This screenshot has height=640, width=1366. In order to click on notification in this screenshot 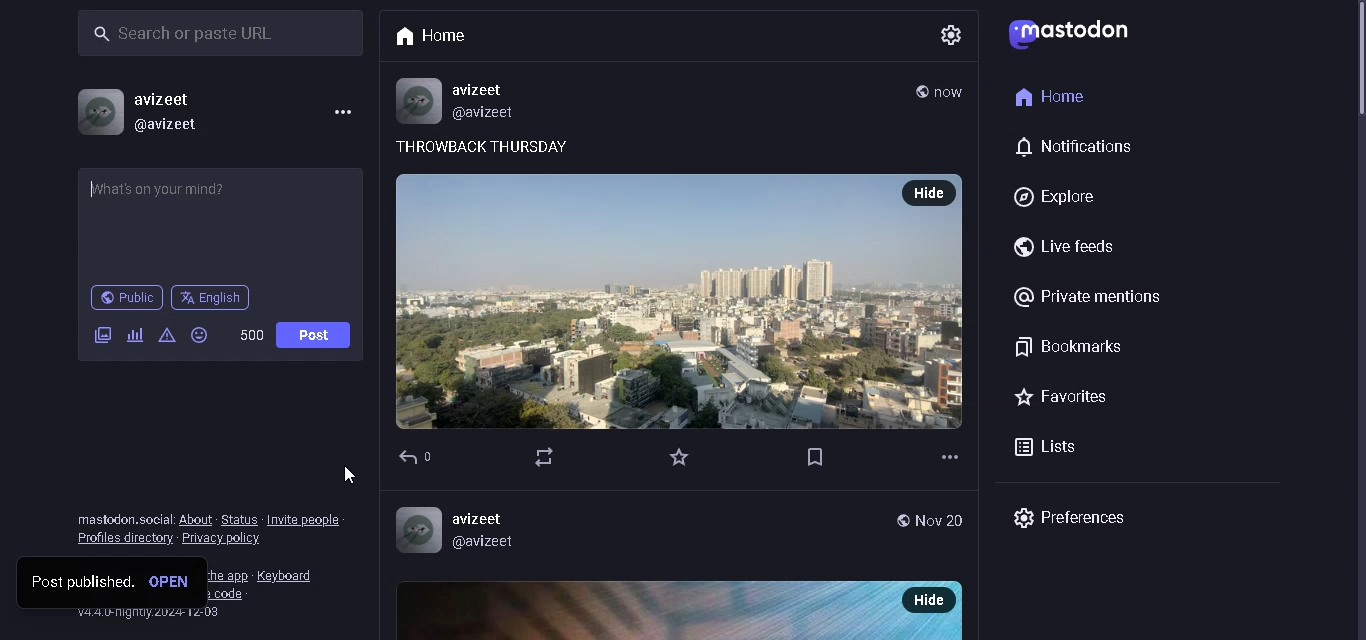, I will do `click(1078, 148)`.